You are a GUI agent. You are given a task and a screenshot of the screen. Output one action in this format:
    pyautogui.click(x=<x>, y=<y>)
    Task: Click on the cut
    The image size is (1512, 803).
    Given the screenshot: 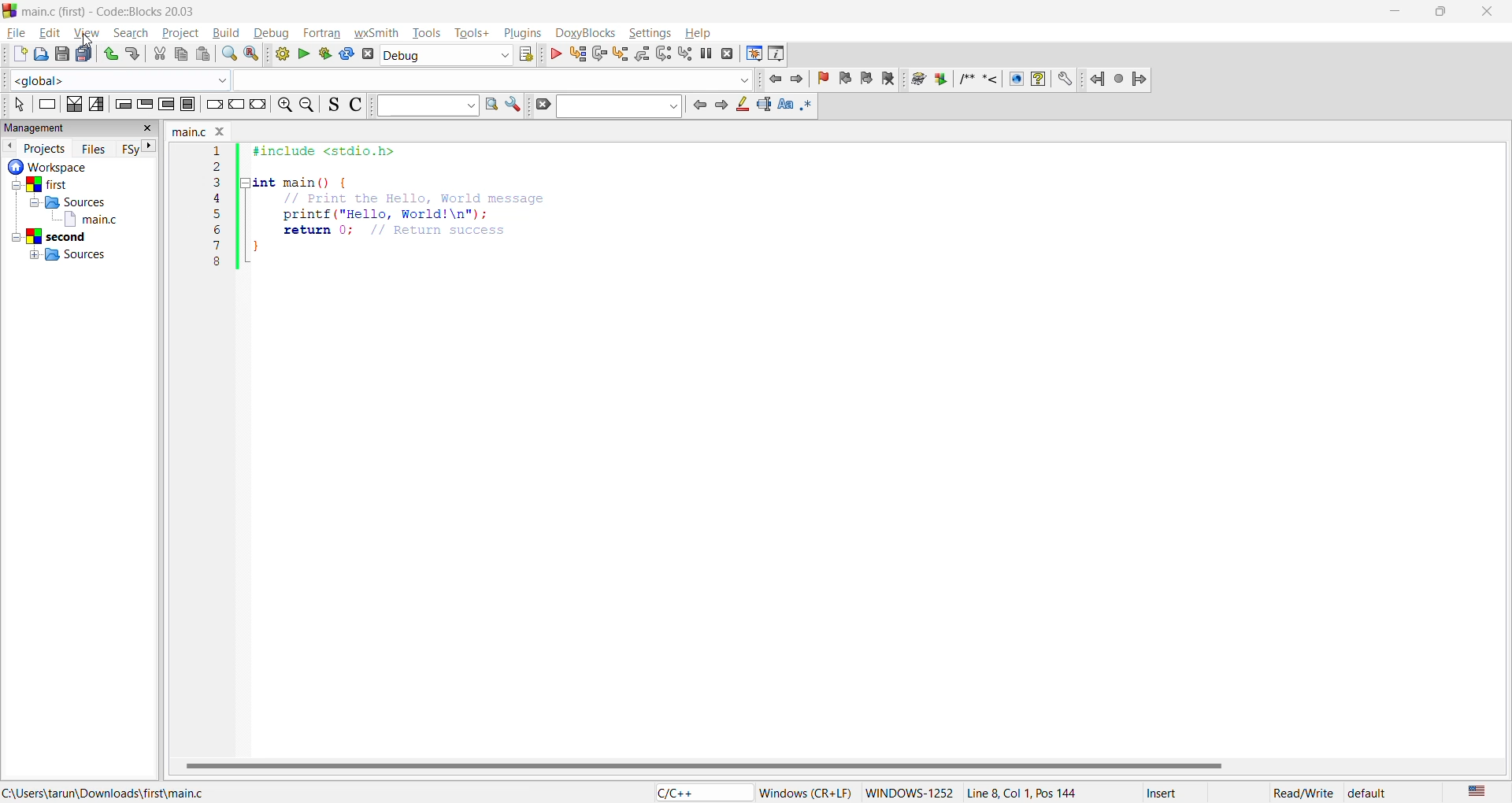 What is the action you would take?
    pyautogui.click(x=157, y=55)
    